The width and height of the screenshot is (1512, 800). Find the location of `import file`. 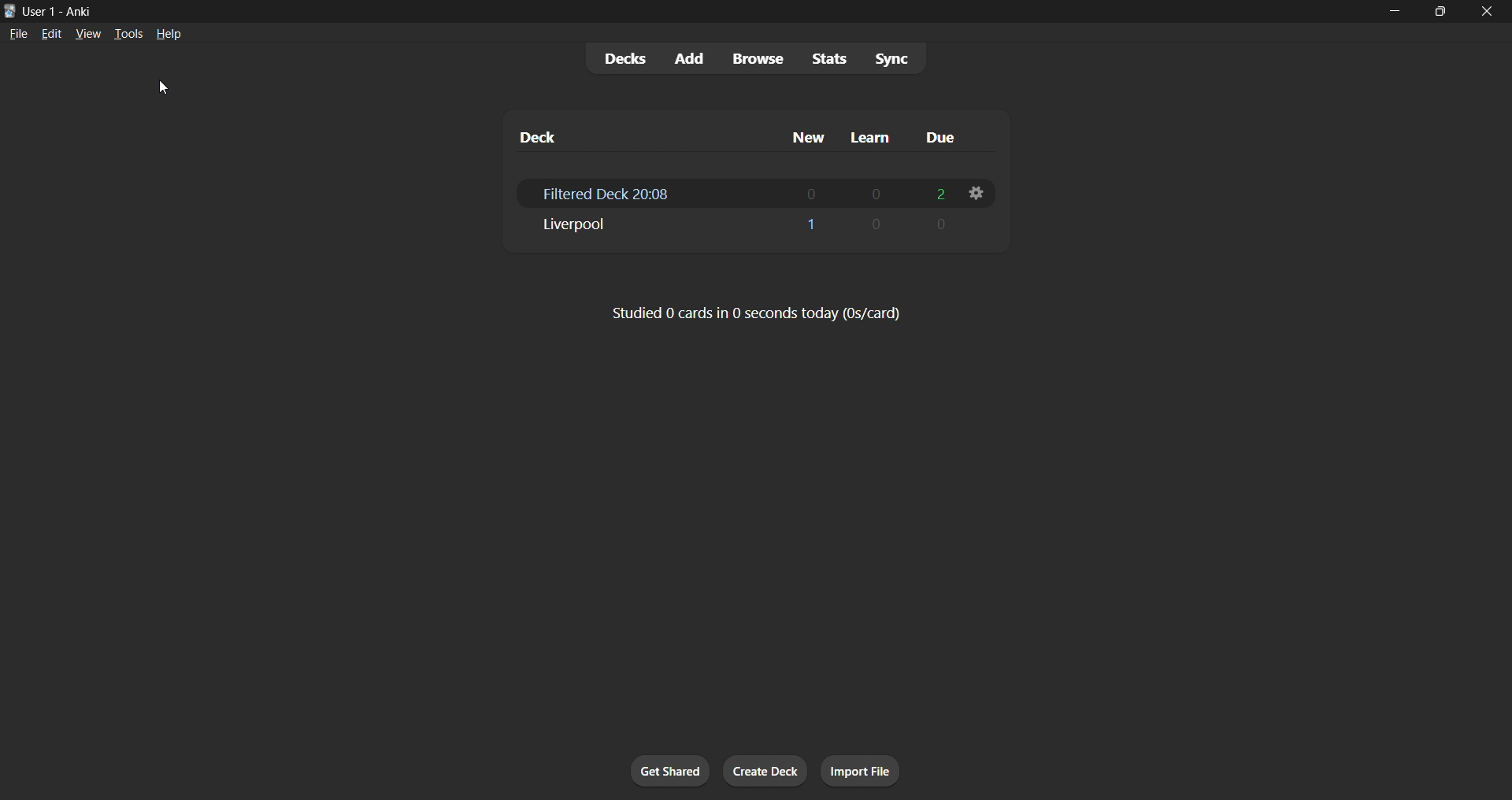

import file is located at coordinates (861, 770).